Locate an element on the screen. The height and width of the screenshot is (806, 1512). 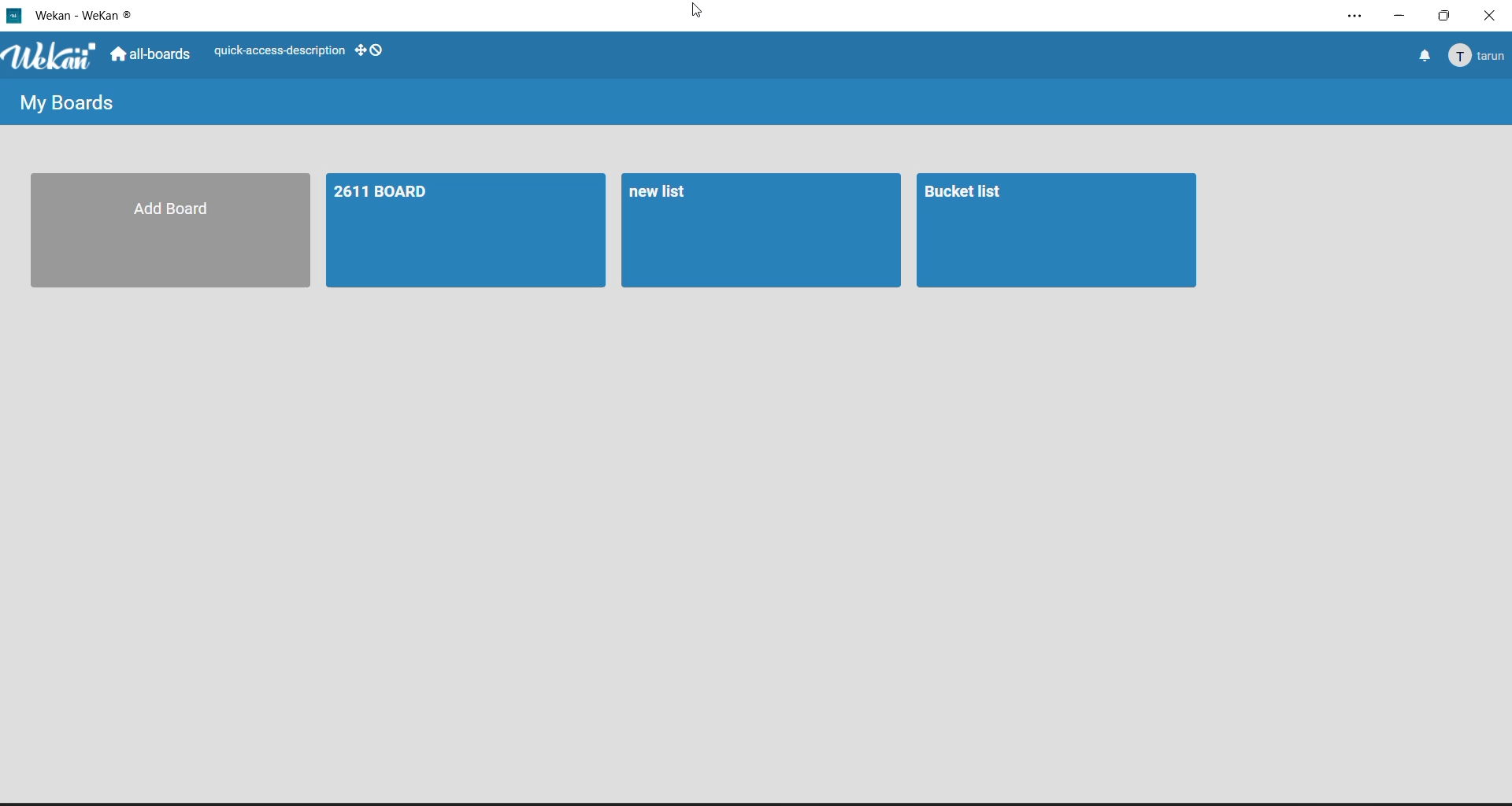
show desktop drag handles is located at coordinates (371, 50).